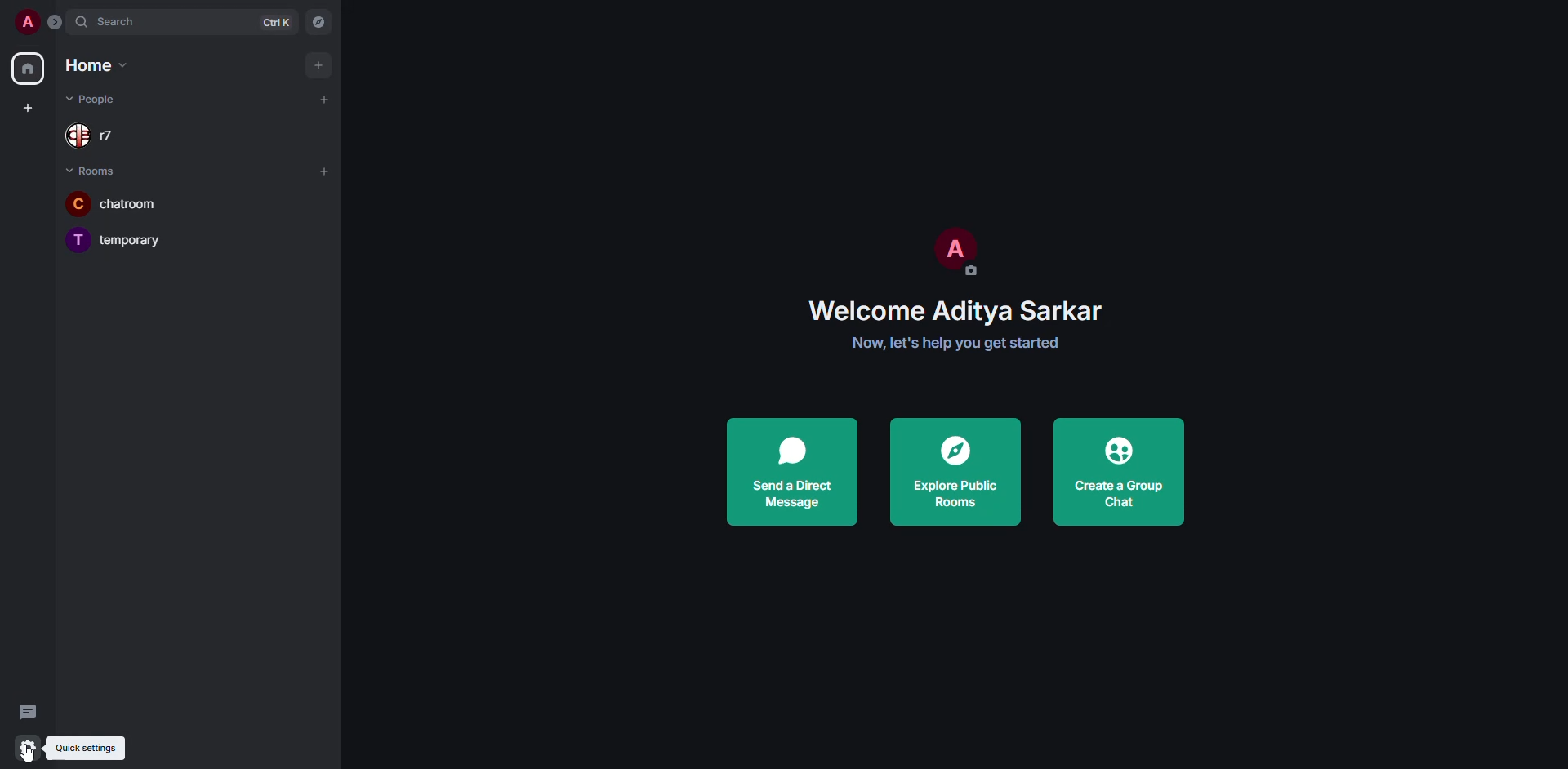 Image resolution: width=1568 pixels, height=769 pixels. I want to click on cursor, so click(29, 756).